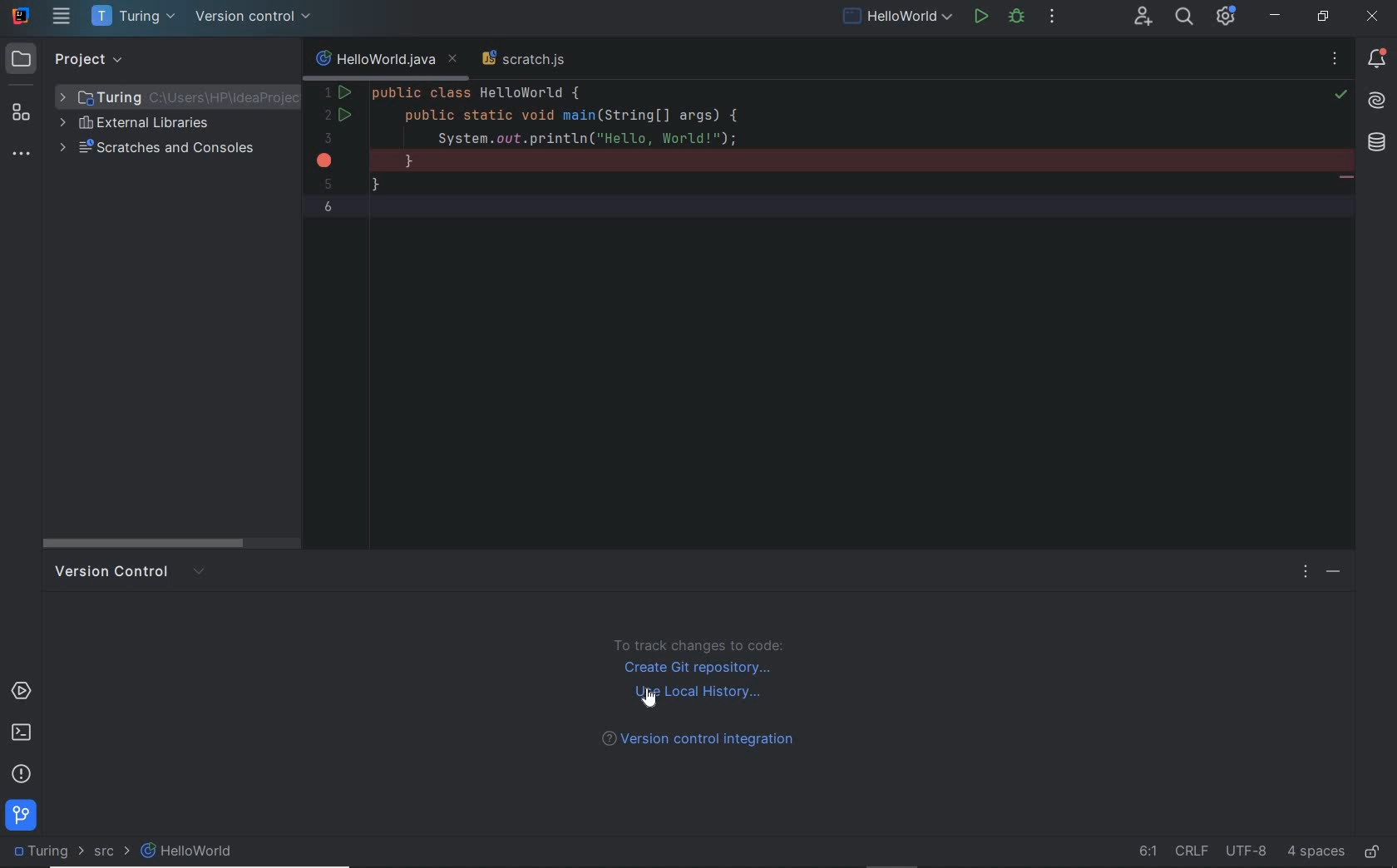 The image size is (1397, 868). I want to click on file encoding, so click(1250, 850).